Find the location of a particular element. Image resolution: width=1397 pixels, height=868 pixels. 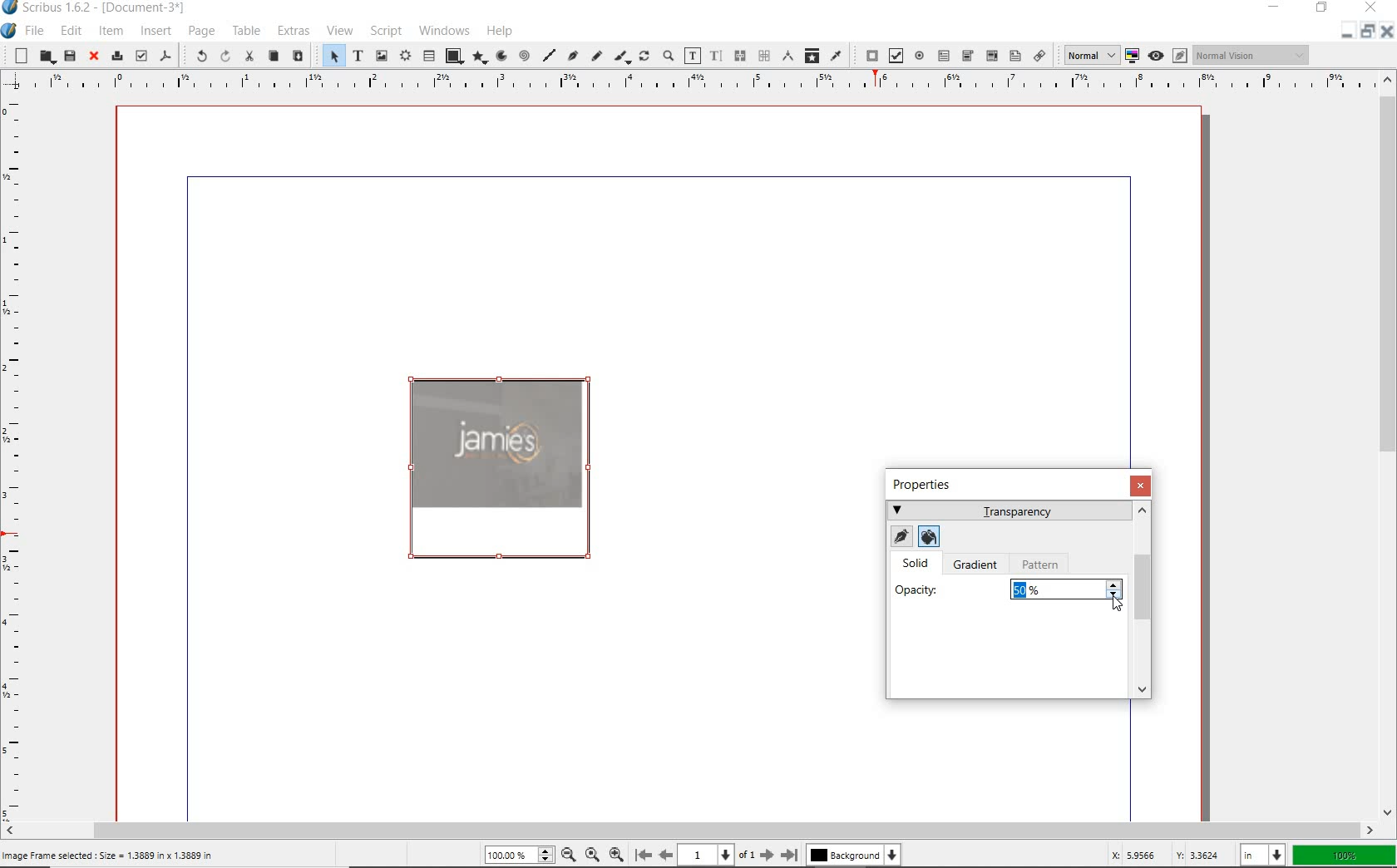

image frame is located at coordinates (381, 57).